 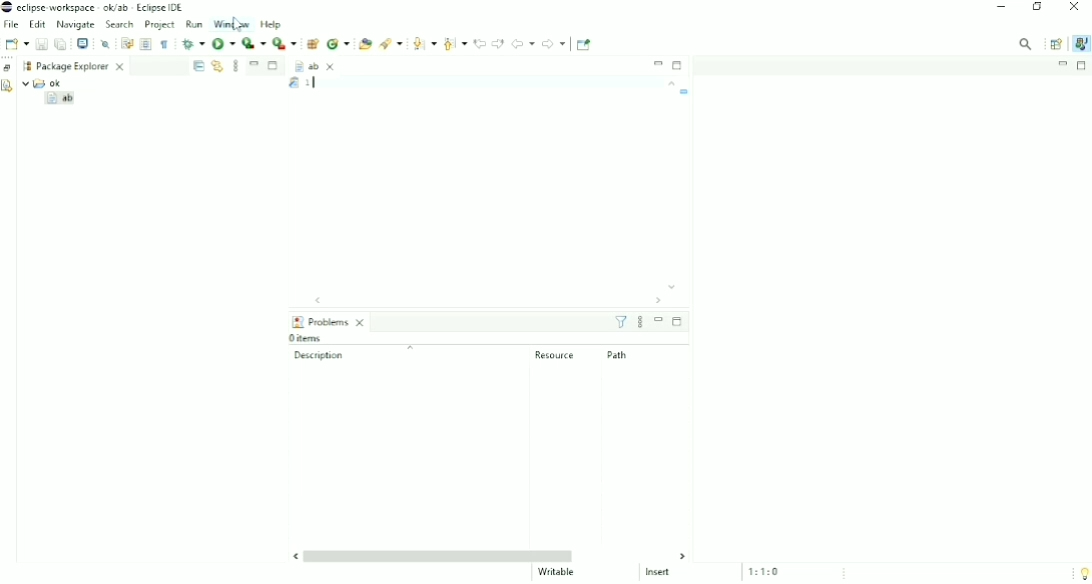 I want to click on Task, so click(x=685, y=92).